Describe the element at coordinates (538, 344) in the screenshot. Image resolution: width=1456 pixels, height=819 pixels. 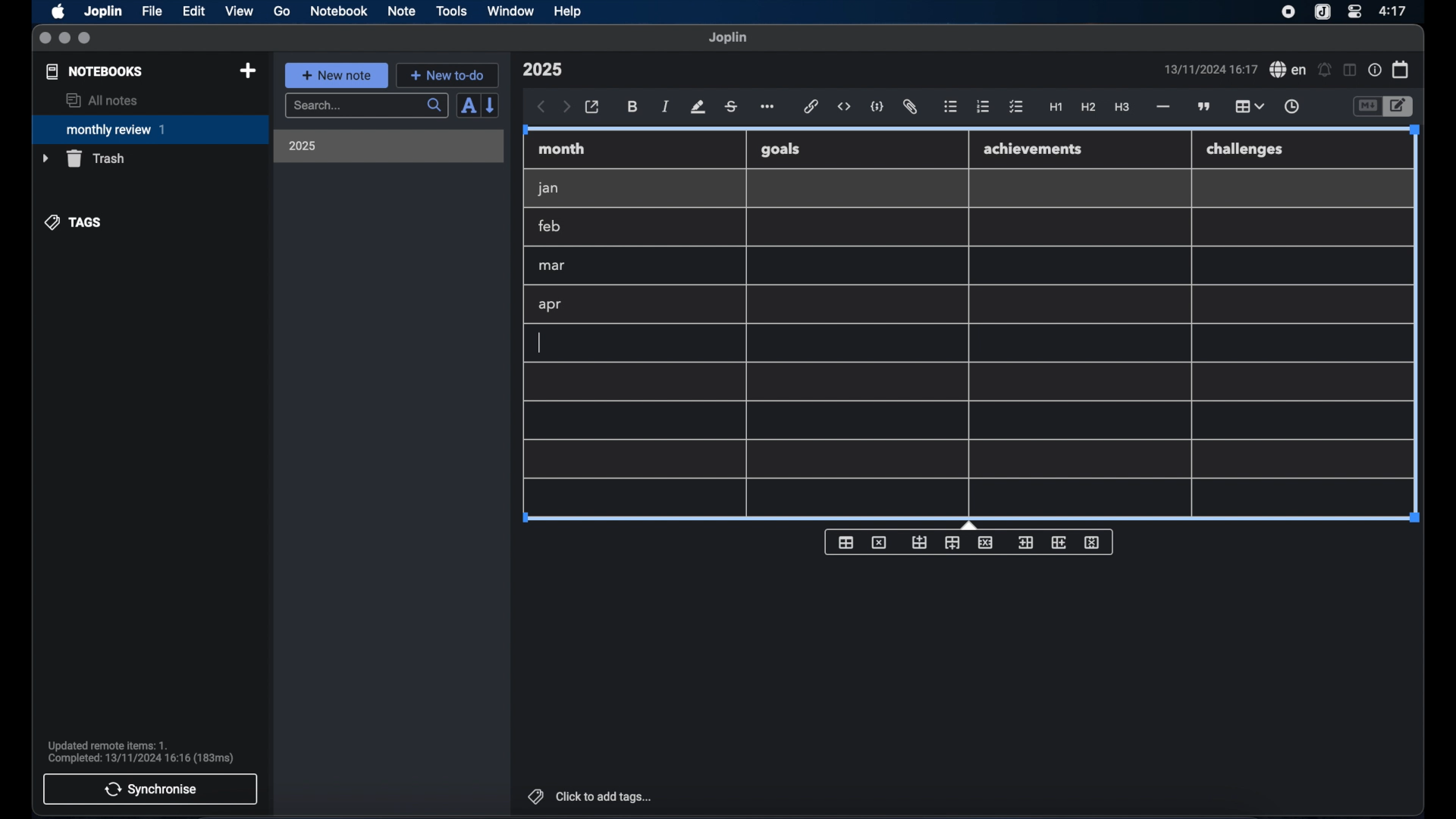
I see `text cursor` at that location.